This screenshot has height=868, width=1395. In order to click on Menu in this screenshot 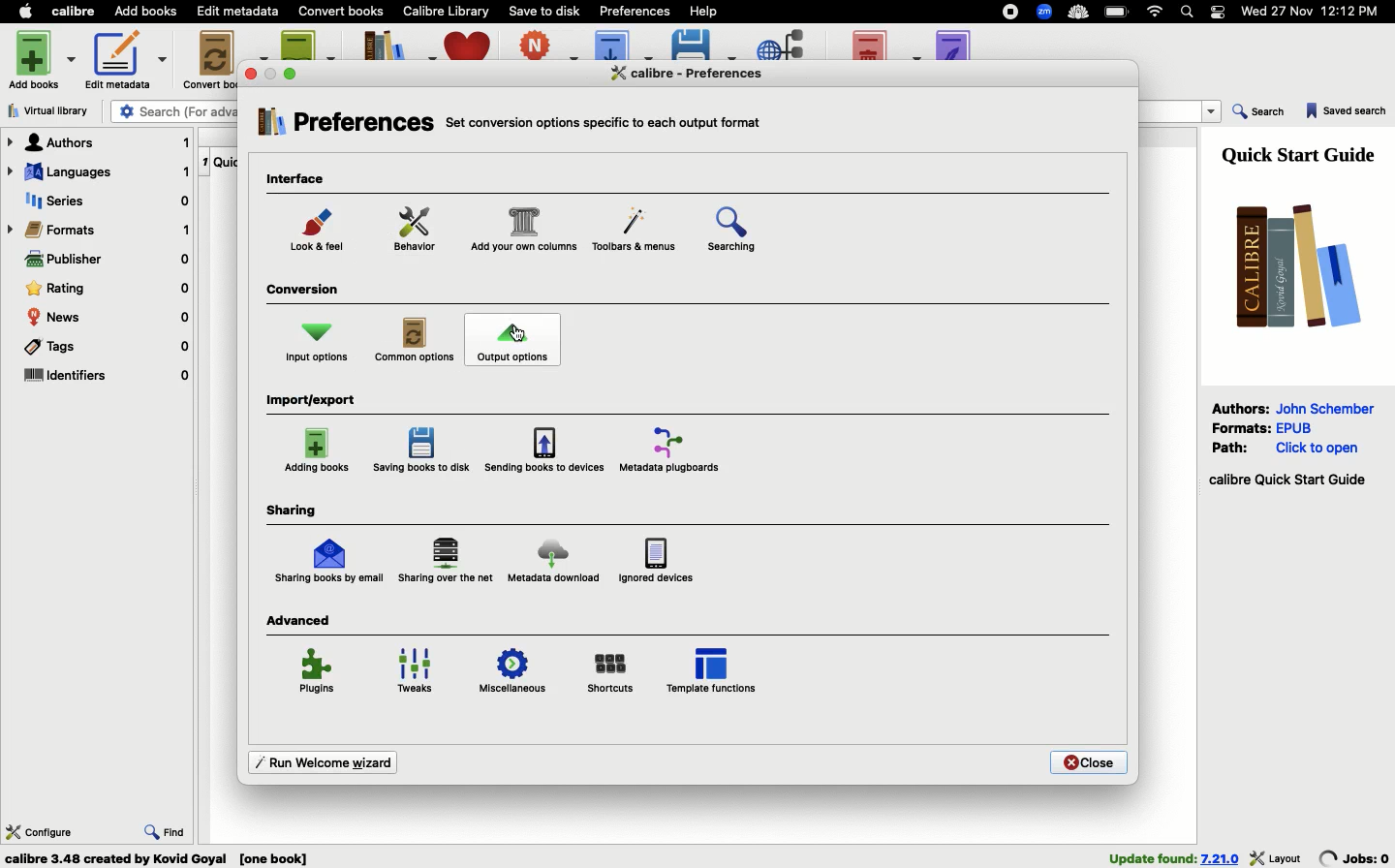, I will do `click(631, 232)`.